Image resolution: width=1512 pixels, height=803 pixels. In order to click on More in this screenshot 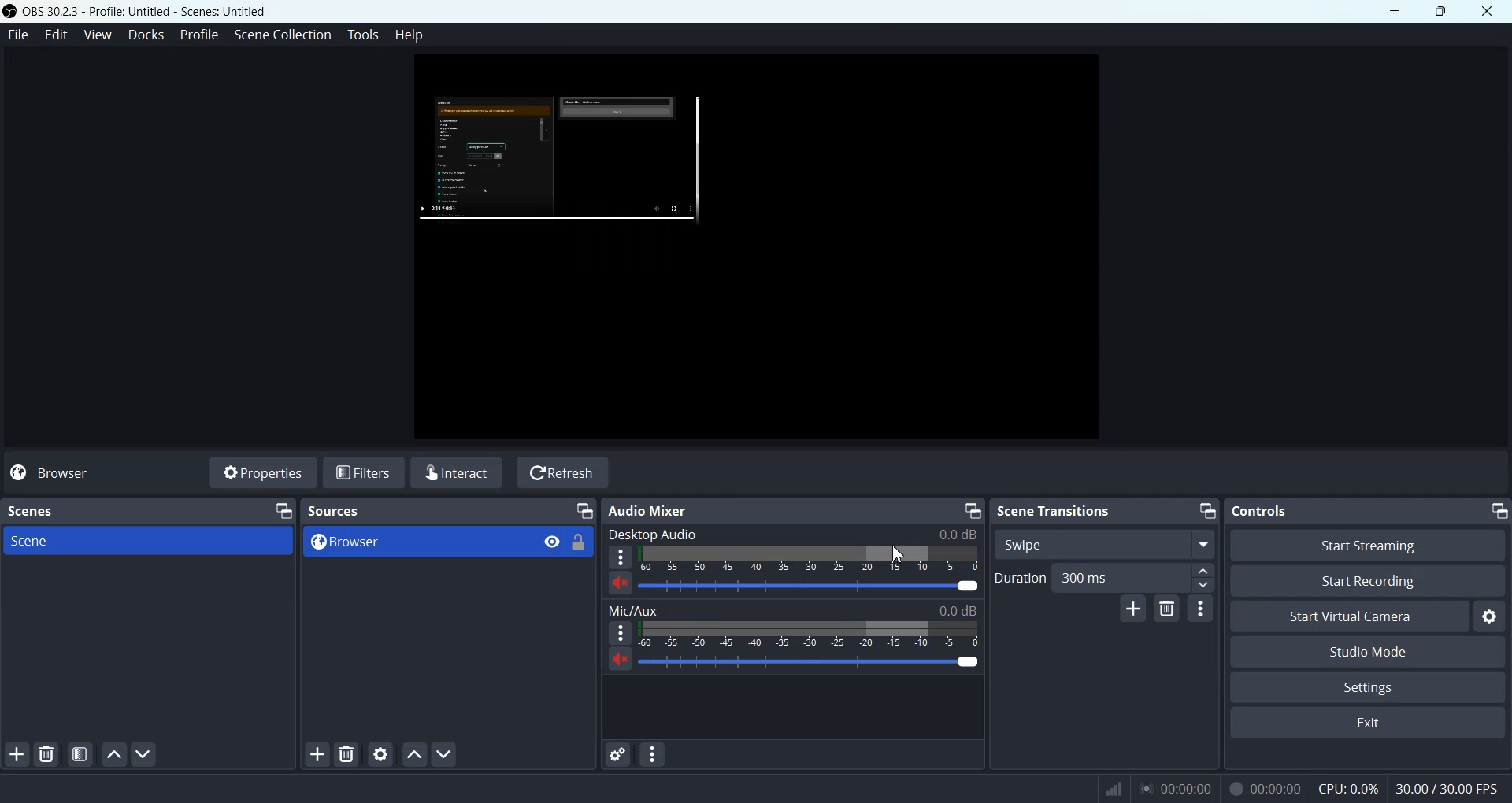, I will do `click(619, 557)`.